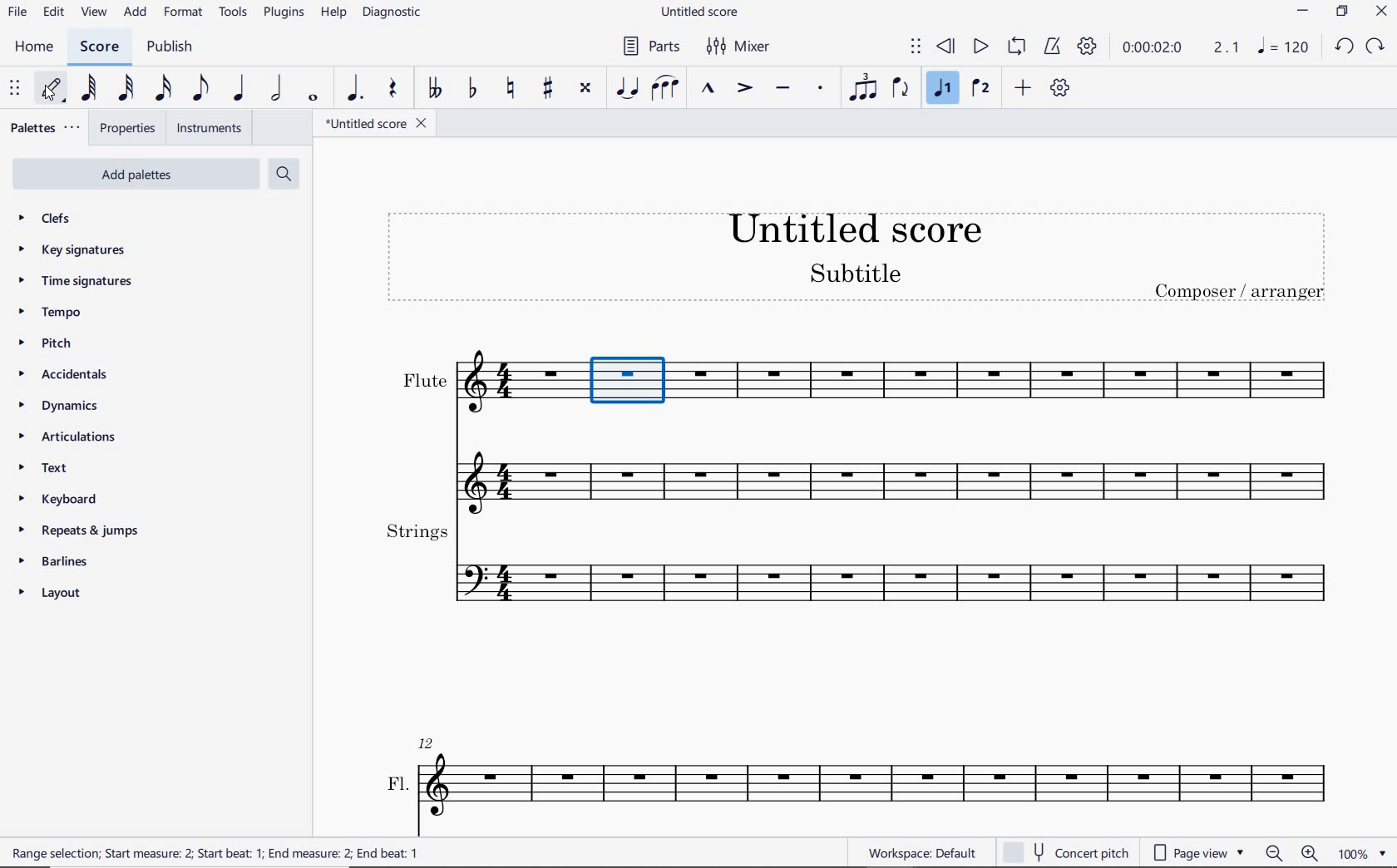  Describe the element at coordinates (355, 89) in the screenshot. I see `AUGMENTATION DOT` at that location.